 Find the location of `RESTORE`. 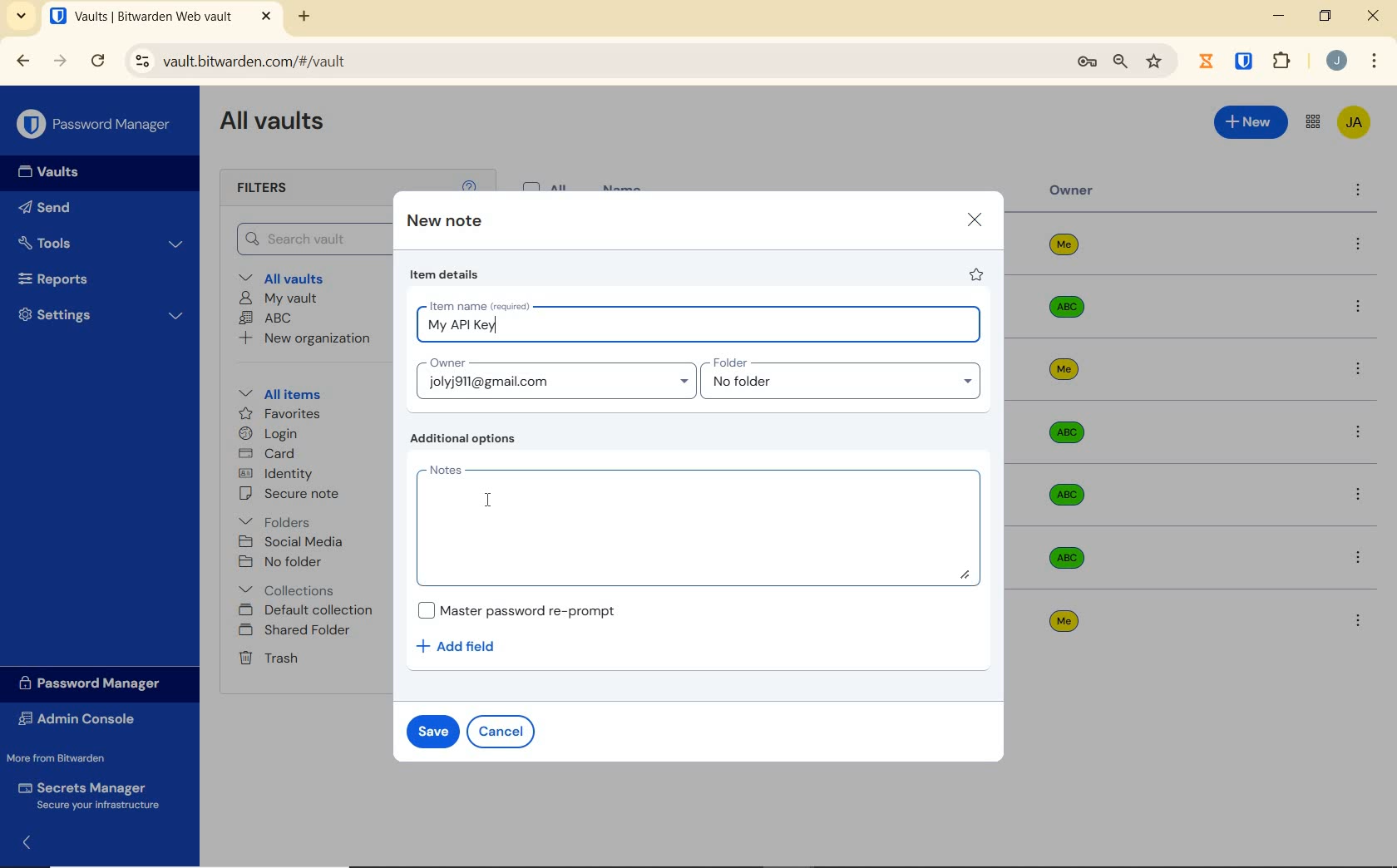

RESTORE is located at coordinates (1325, 18).